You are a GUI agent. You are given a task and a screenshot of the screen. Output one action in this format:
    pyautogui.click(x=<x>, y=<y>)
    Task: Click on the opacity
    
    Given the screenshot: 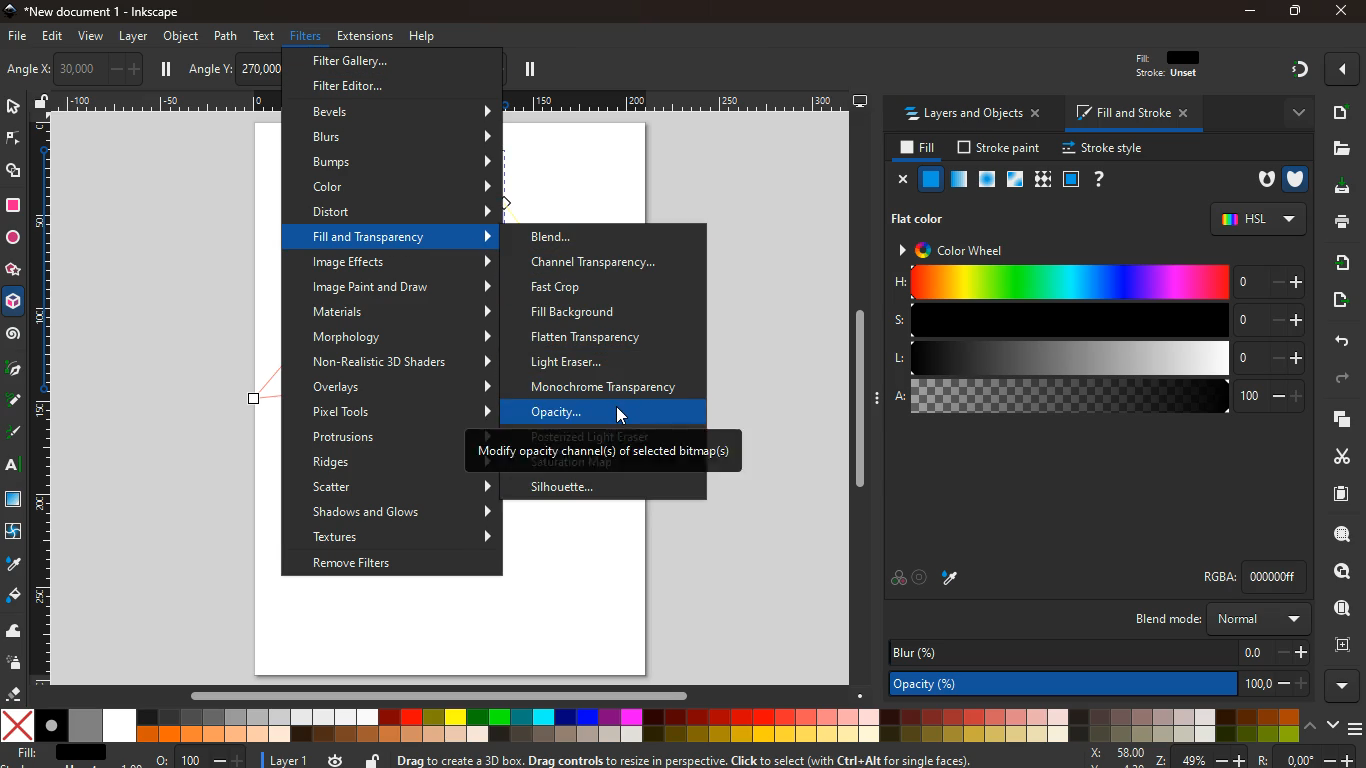 What is the action you would take?
    pyautogui.click(x=1095, y=684)
    